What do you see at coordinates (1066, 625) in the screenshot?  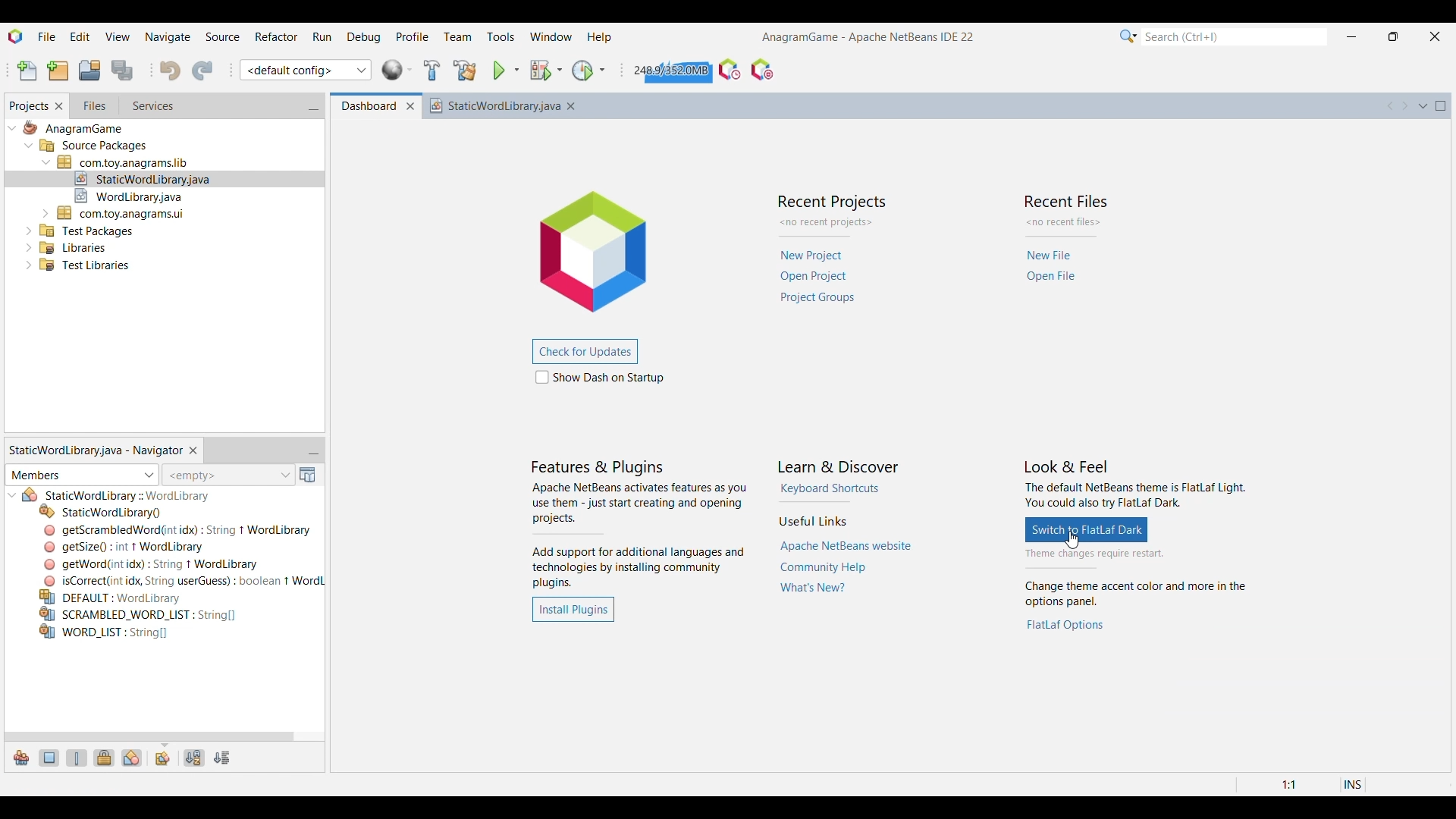 I see `FlatLaf options` at bounding box center [1066, 625].